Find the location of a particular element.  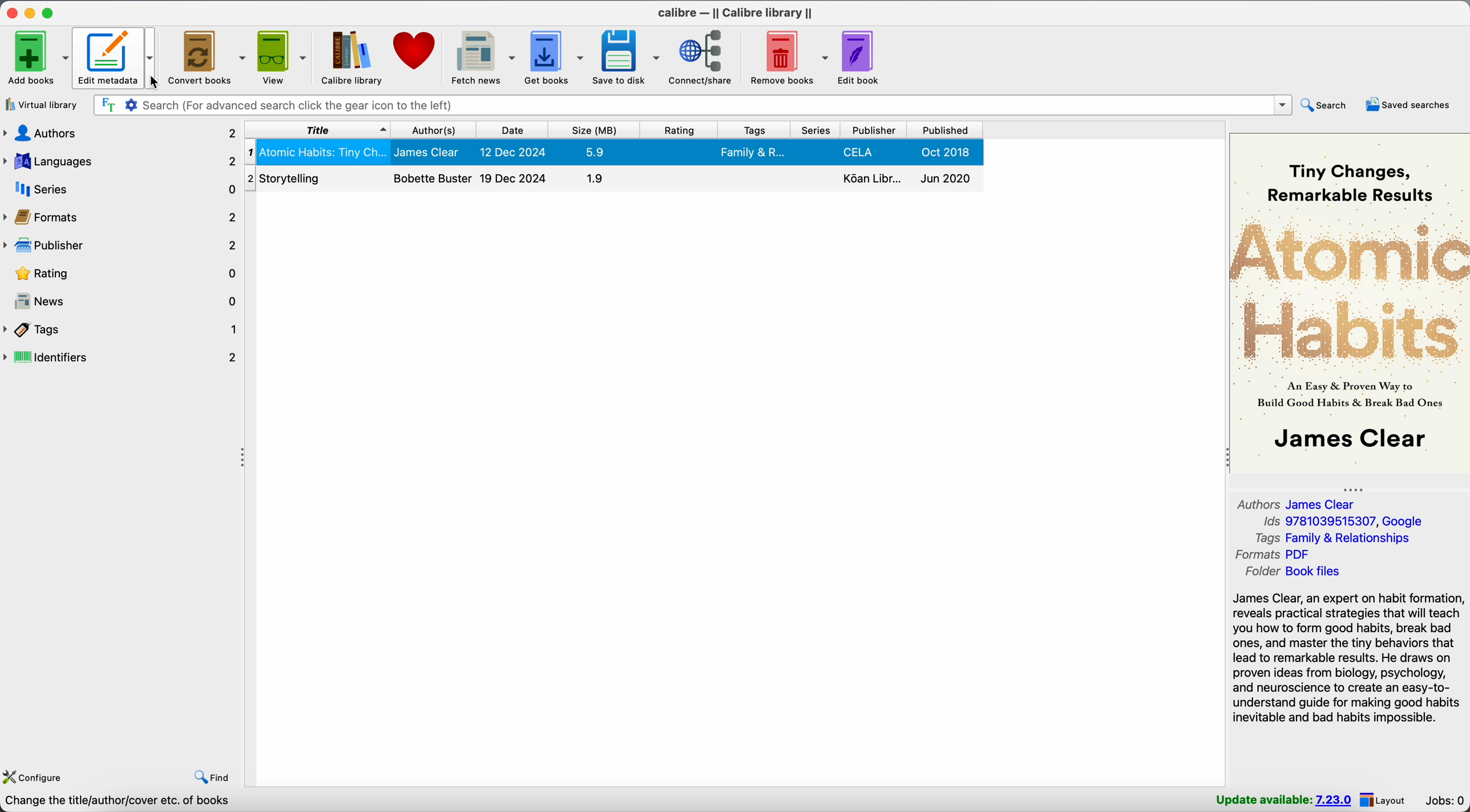

Add books is located at coordinates (37, 56).